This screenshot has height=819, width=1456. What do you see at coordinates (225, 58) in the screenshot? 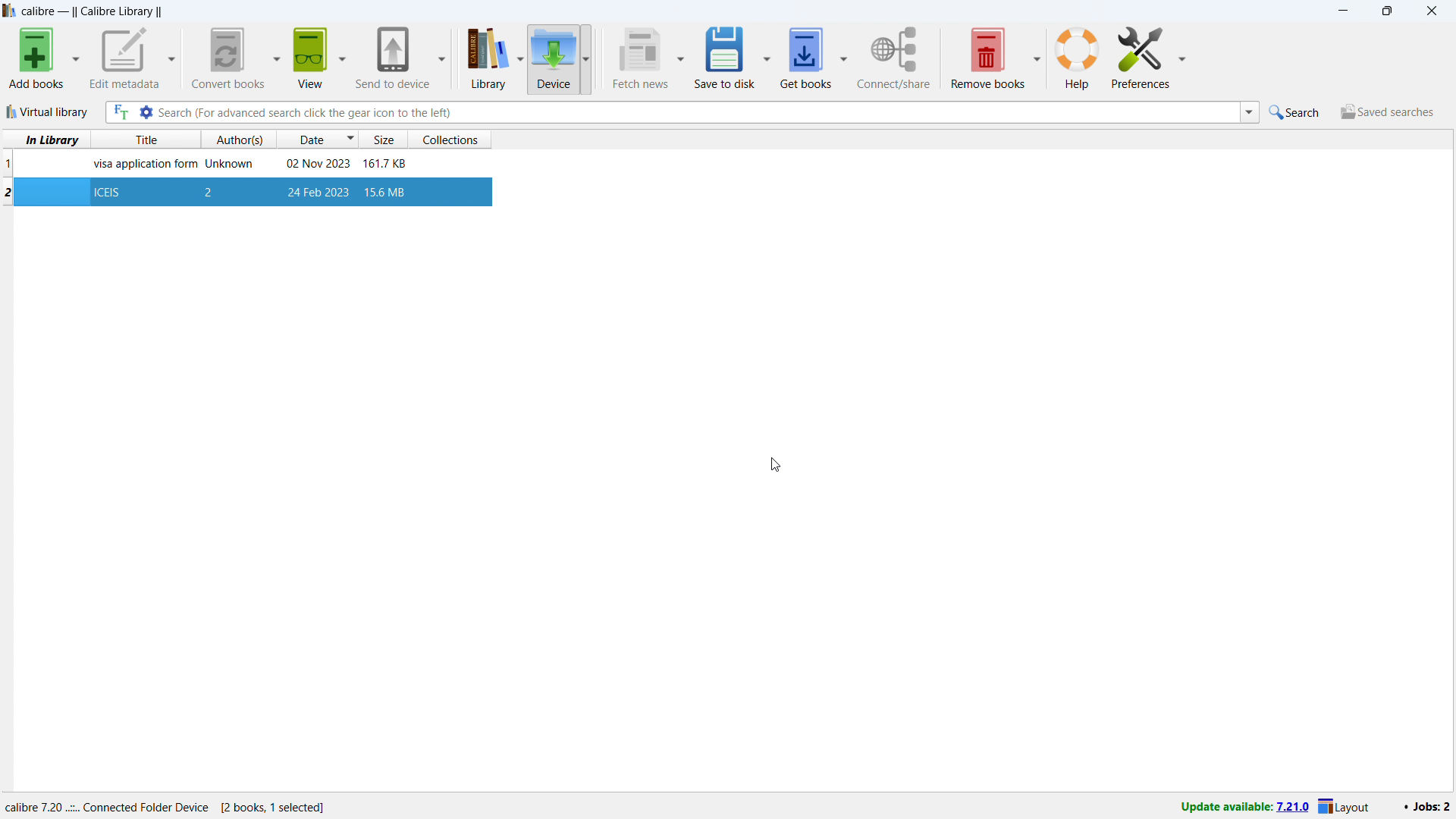
I see `convert books` at bounding box center [225, 58].